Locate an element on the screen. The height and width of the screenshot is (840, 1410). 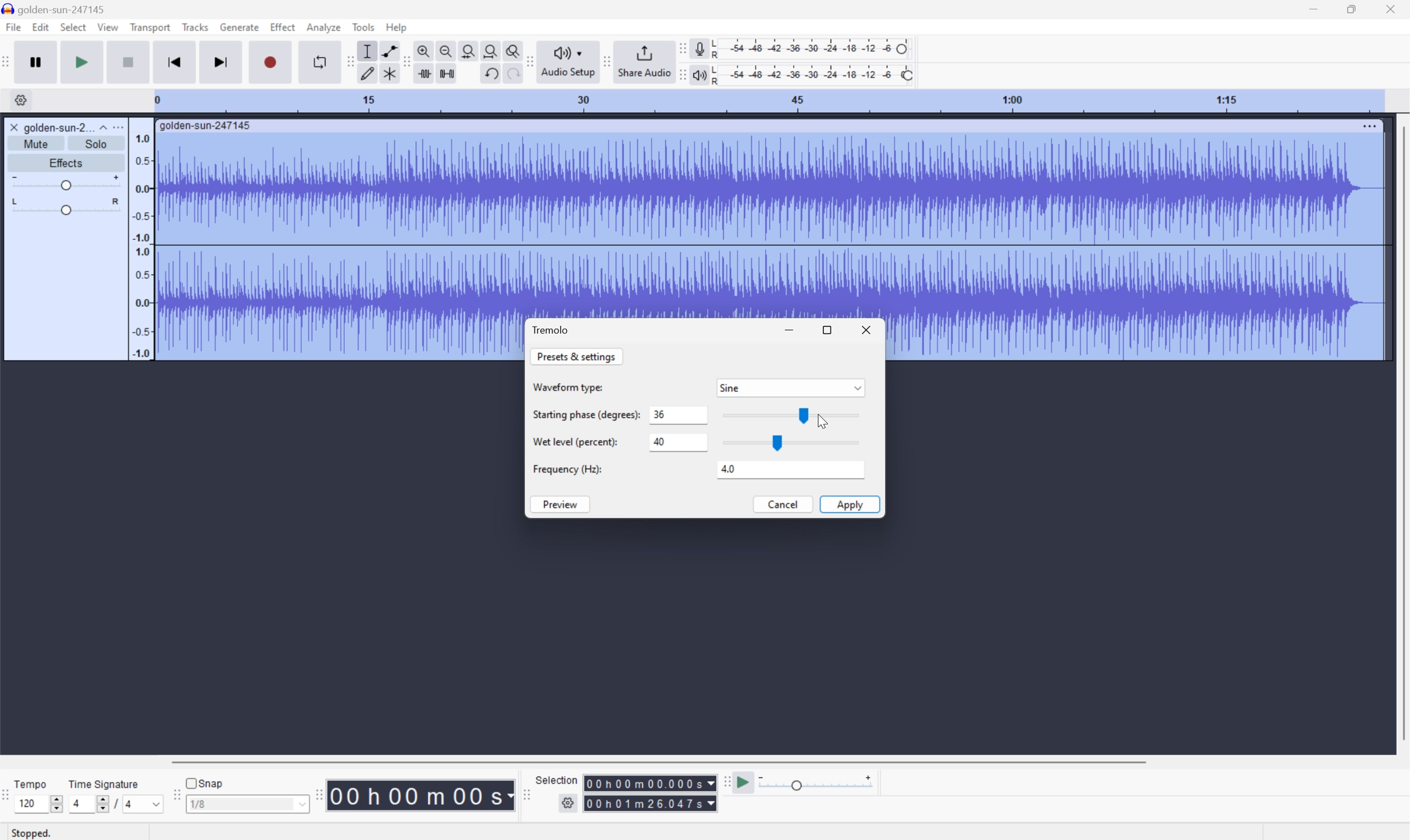
Select is located at coordinates (73, 26).